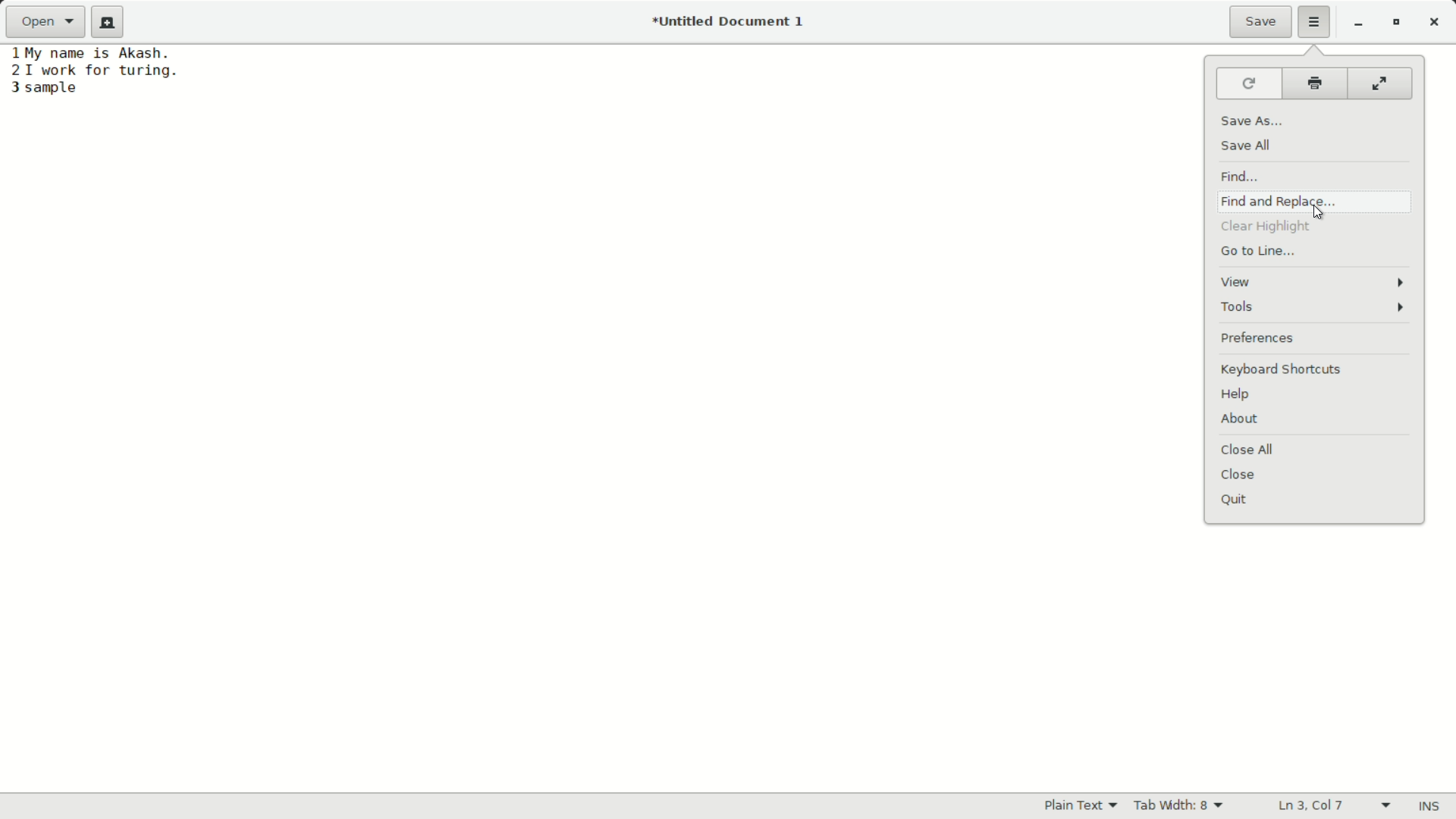 The width and height of the screenshot is (1456, 819). I want to click on clear highlight, so click(1266, 229).